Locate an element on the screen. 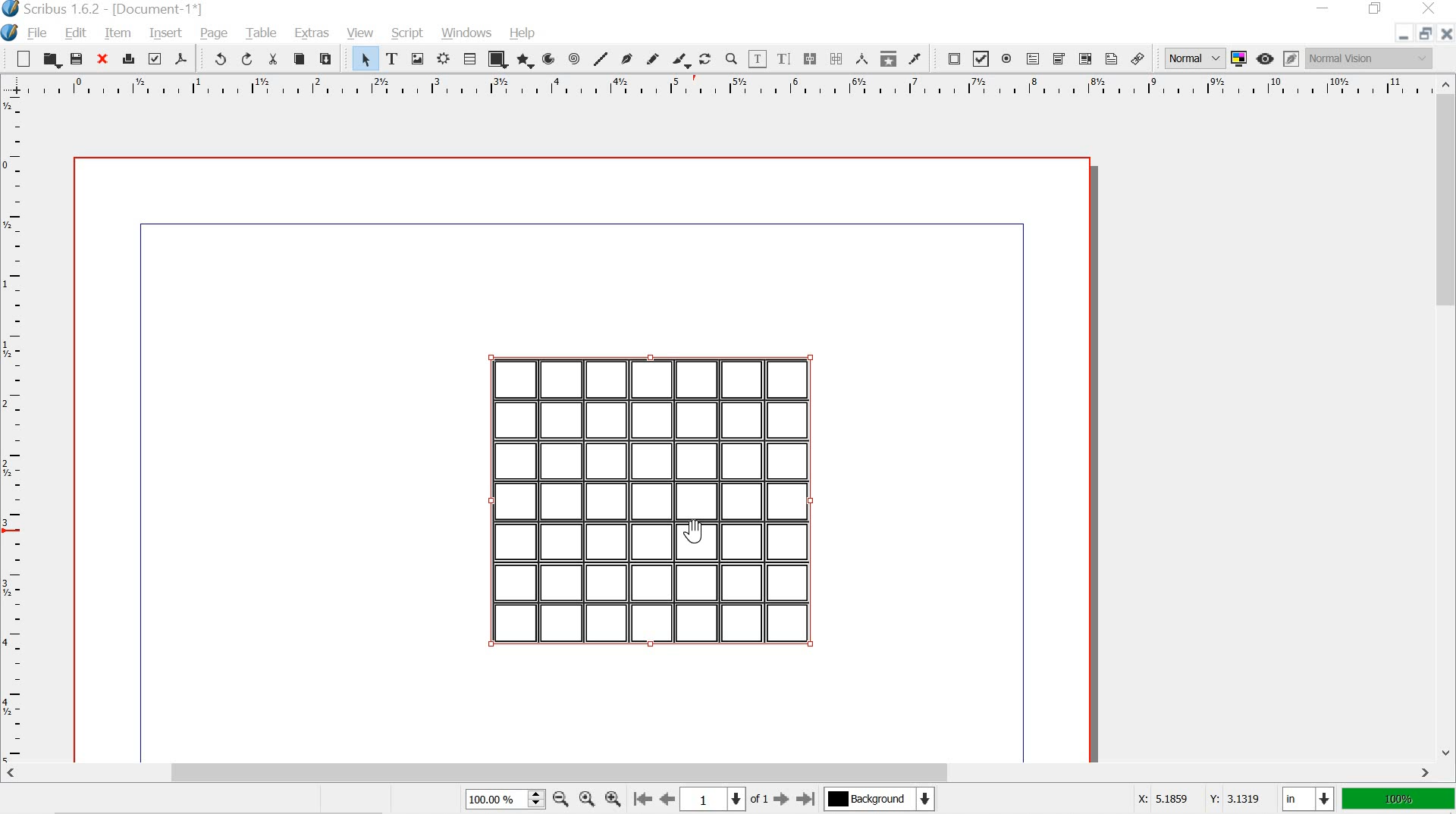 The width and height of the screenshot is (1456, 814). copy is located at coordinates (299, 59).